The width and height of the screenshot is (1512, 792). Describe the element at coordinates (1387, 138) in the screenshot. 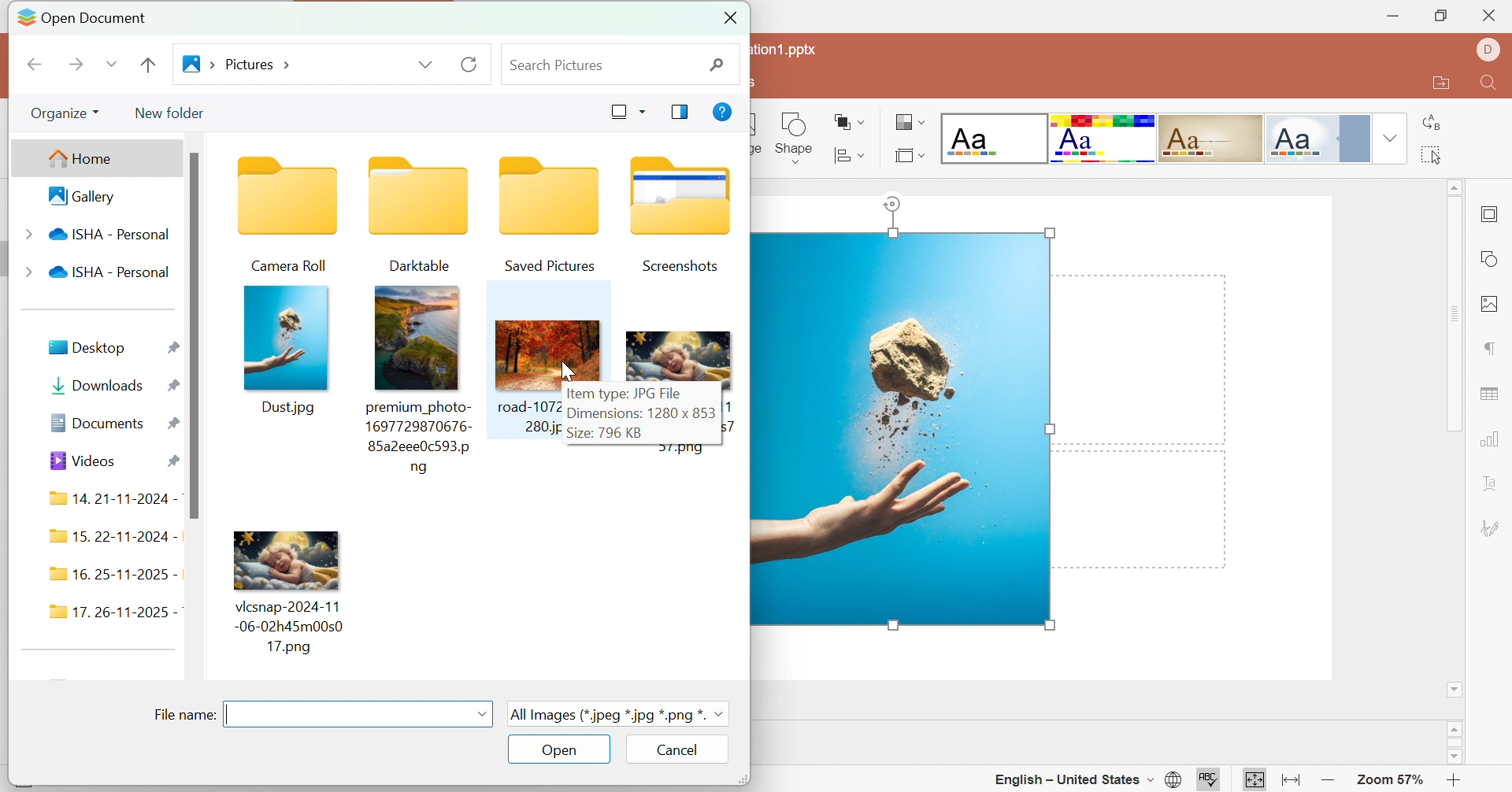

I see `Drop Down` at that location.